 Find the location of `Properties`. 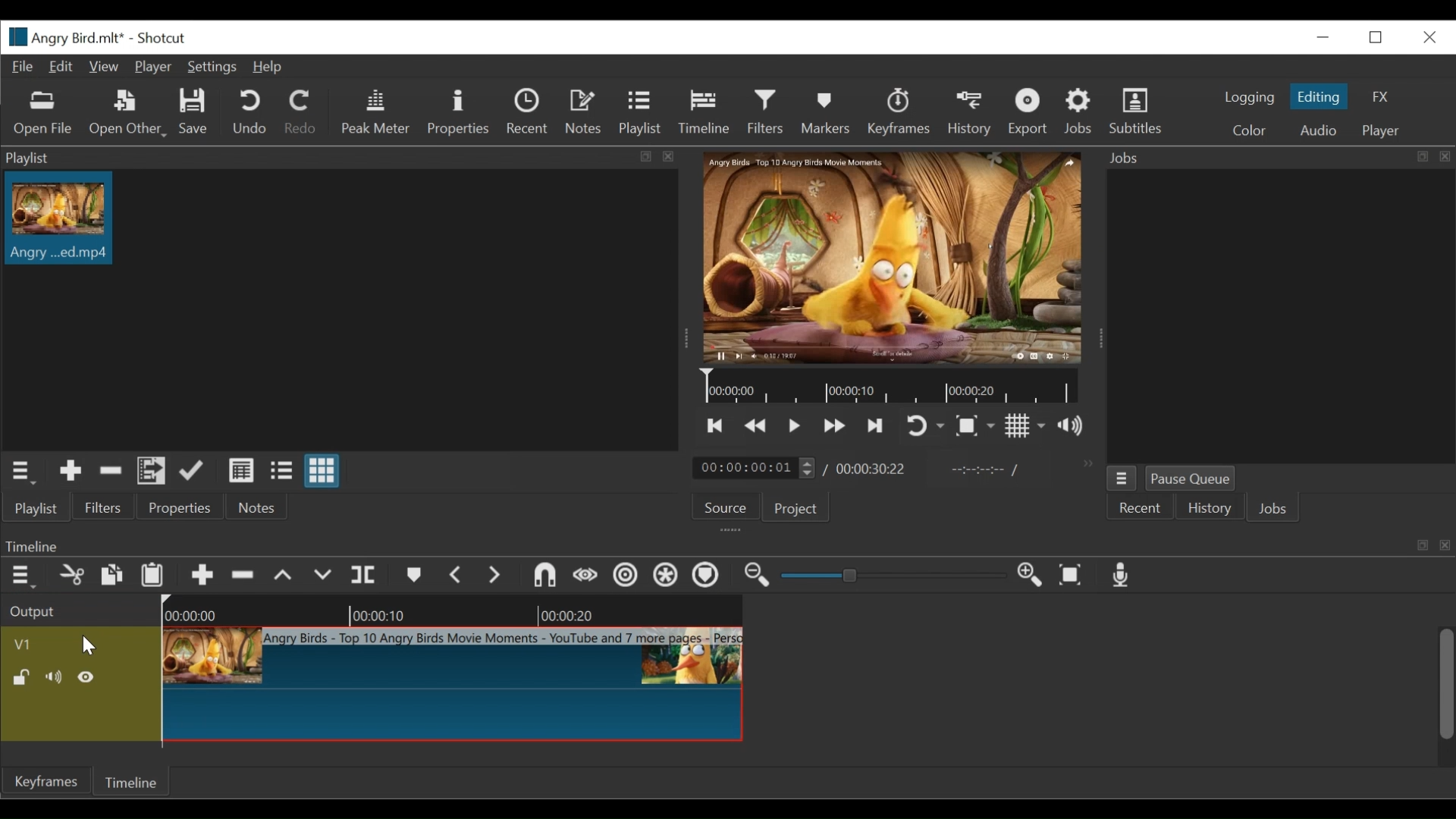

Properties is located at coordinates (462, 113).